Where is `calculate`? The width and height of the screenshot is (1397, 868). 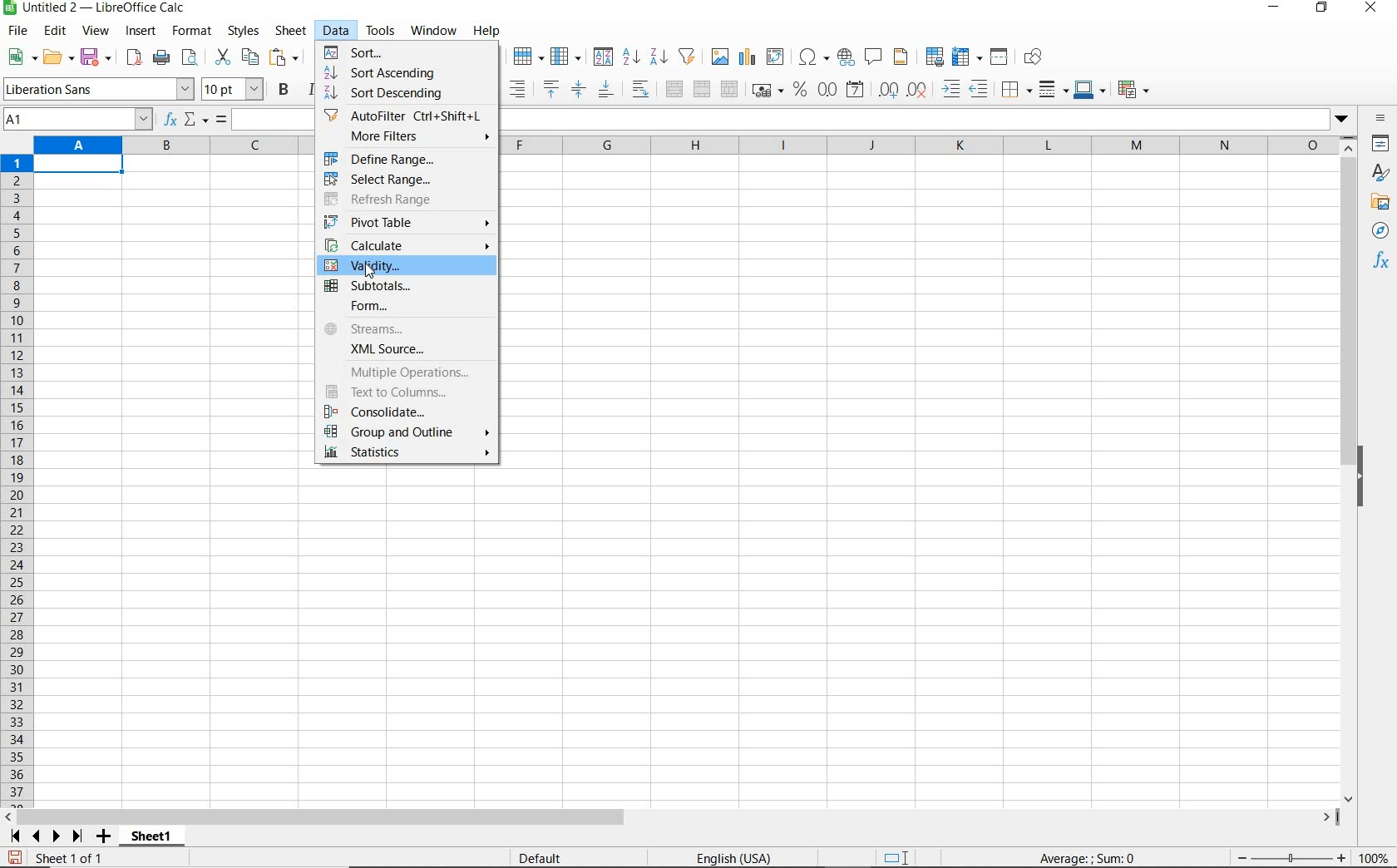
calculate is located at coordinates (407, 245).